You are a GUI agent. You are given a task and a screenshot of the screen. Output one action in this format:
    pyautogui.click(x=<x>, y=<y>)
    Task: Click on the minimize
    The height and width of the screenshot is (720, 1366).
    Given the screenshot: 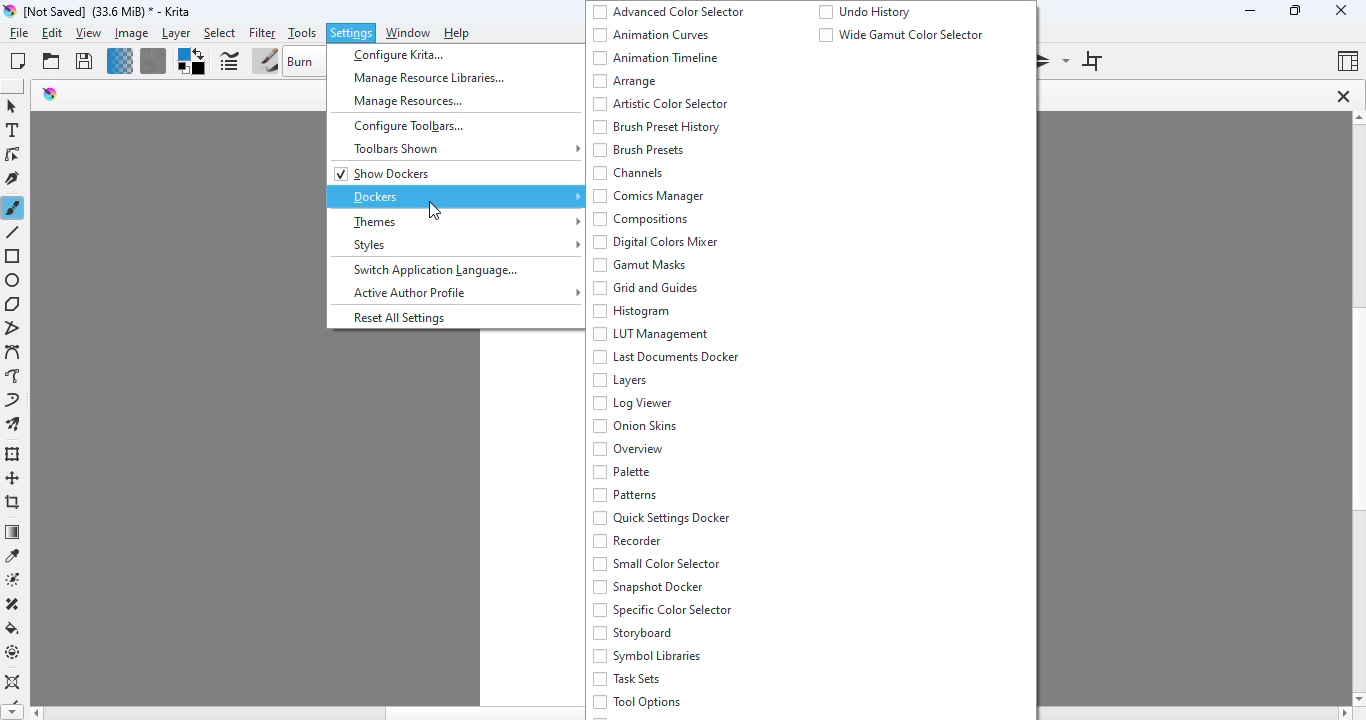 What is the action you would take?
    pyautogui.click(x=1250, y=10)
    